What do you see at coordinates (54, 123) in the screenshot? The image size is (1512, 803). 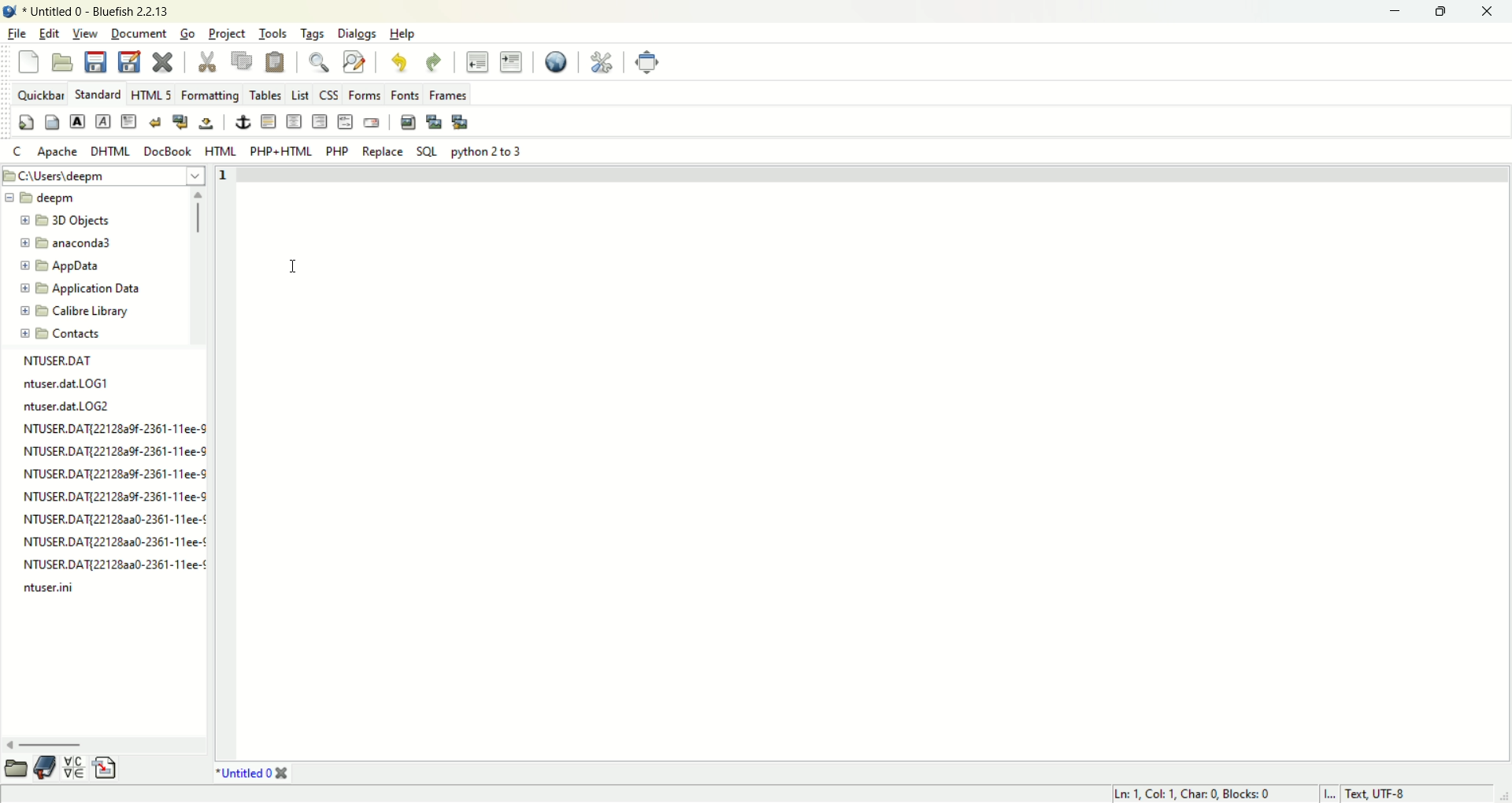 I see `body` at bounding box center [54, 123].